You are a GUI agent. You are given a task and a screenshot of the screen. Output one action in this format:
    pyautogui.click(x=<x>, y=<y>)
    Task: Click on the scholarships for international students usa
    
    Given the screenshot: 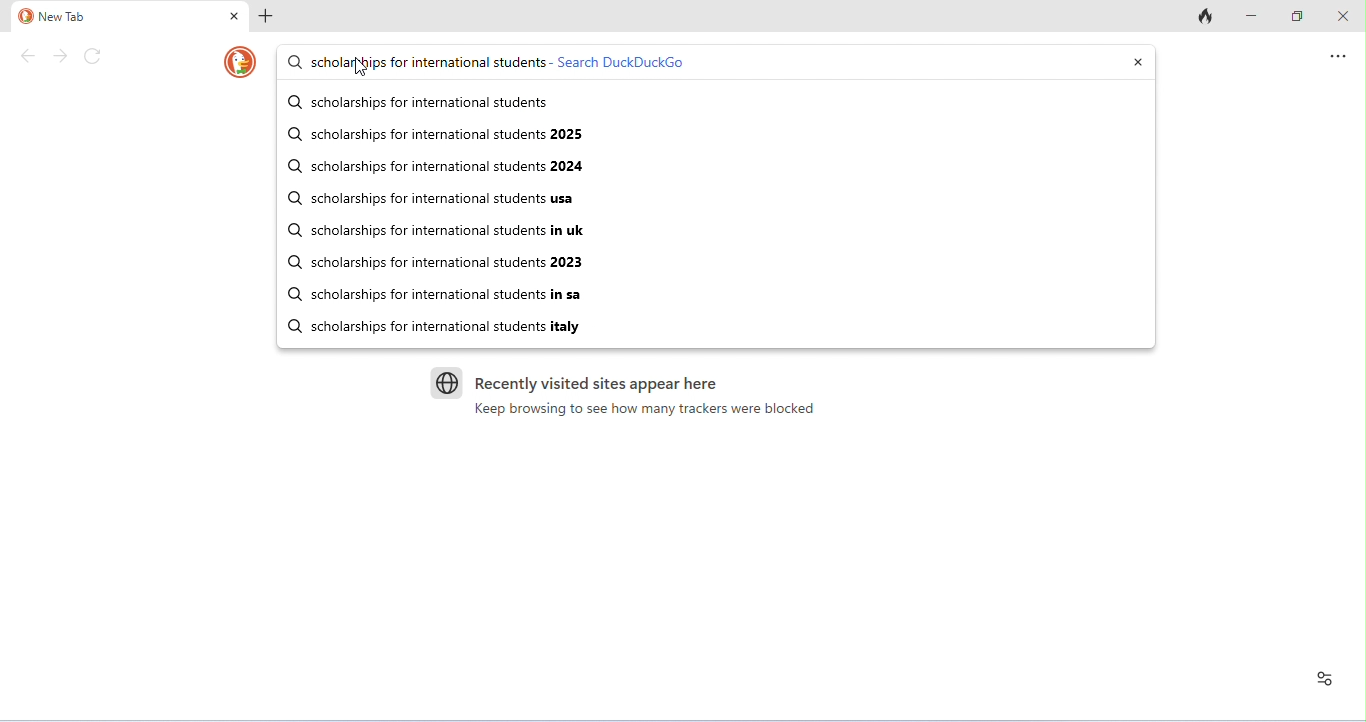 What is the action you would take?
    pyautogui.click(x=444, y=201)
    